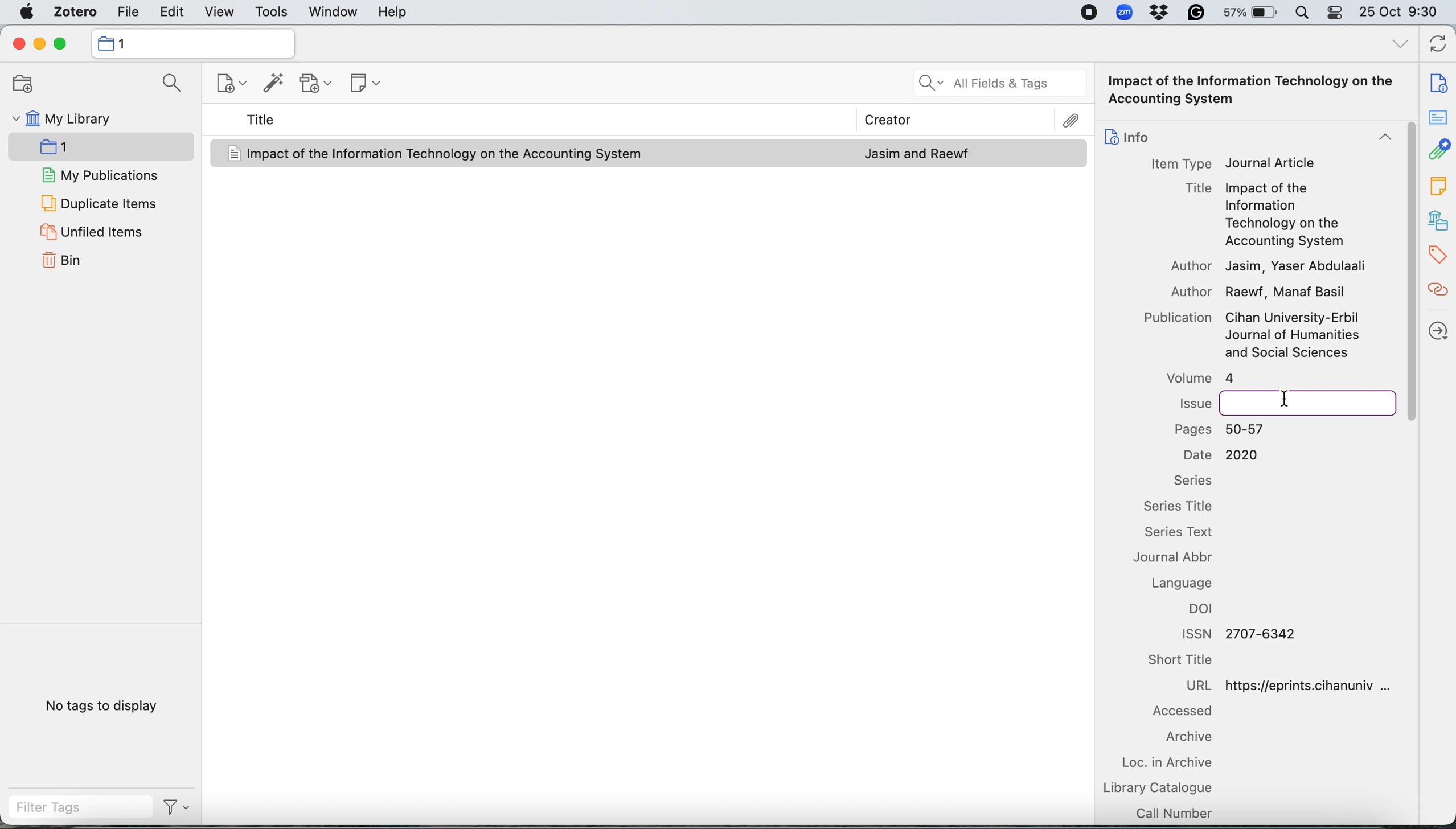  What do you see at coordinates (1334, 13) in the screenshot?
I see `control center` at bounding box center [1334, 13].